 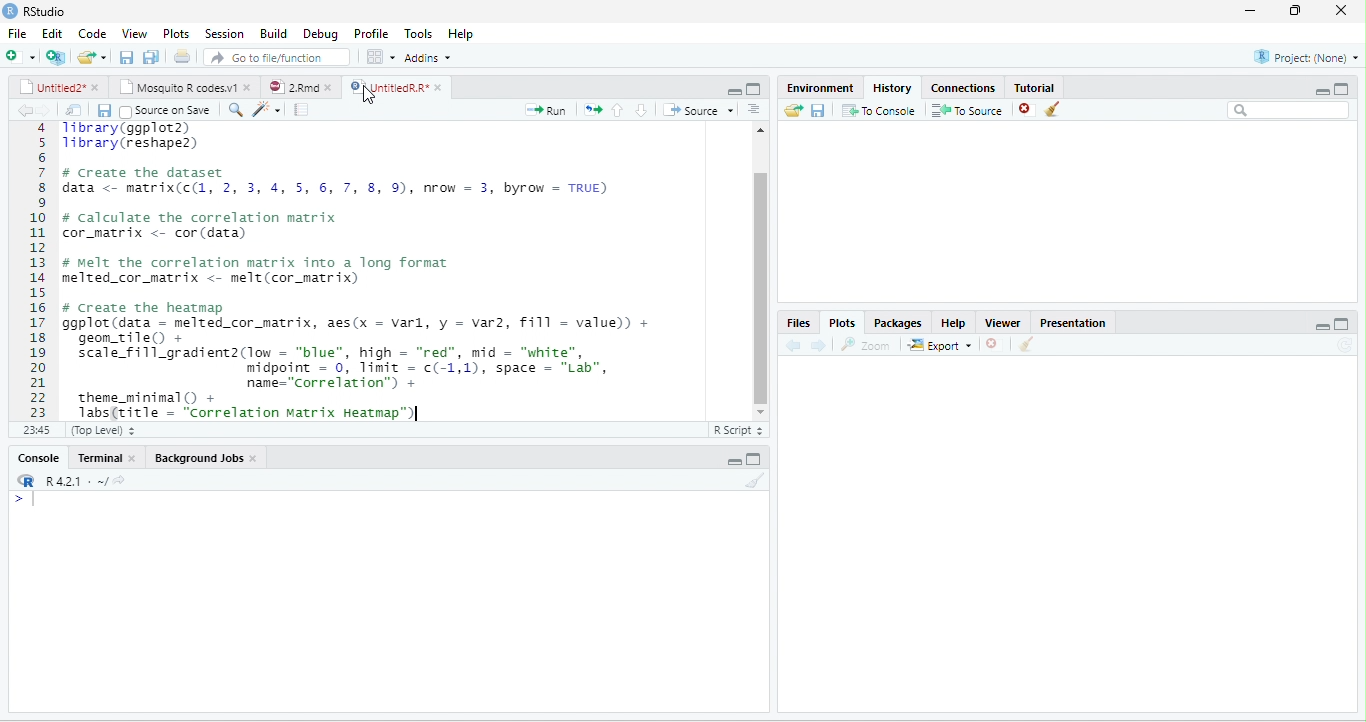 What do you see at coordinates (812, 86) in the screenshot?
I see `environment ` at bounding box center [812, 86].